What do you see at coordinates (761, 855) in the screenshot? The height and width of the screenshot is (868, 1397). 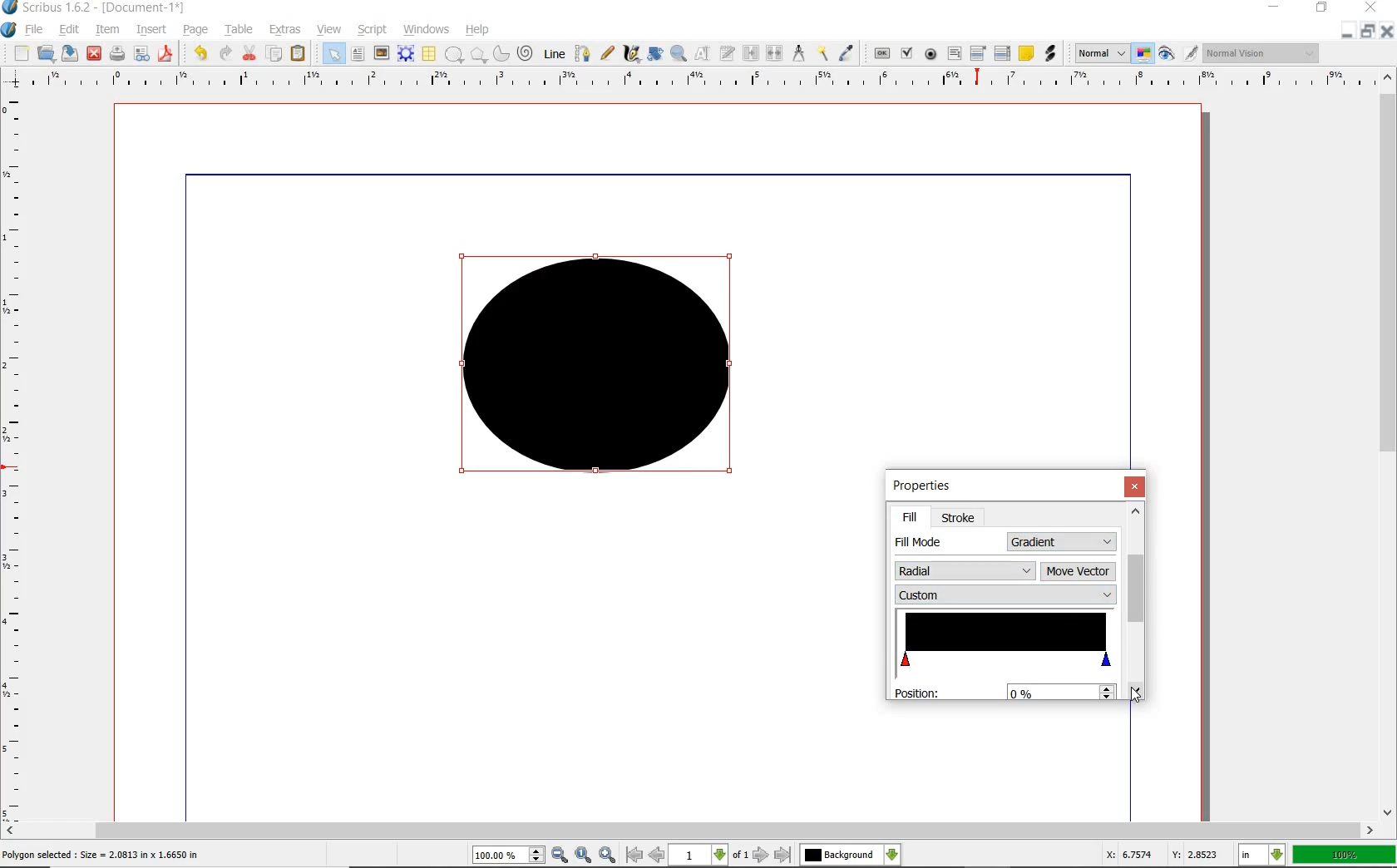 I see `next` at bounding box center [761, 855].